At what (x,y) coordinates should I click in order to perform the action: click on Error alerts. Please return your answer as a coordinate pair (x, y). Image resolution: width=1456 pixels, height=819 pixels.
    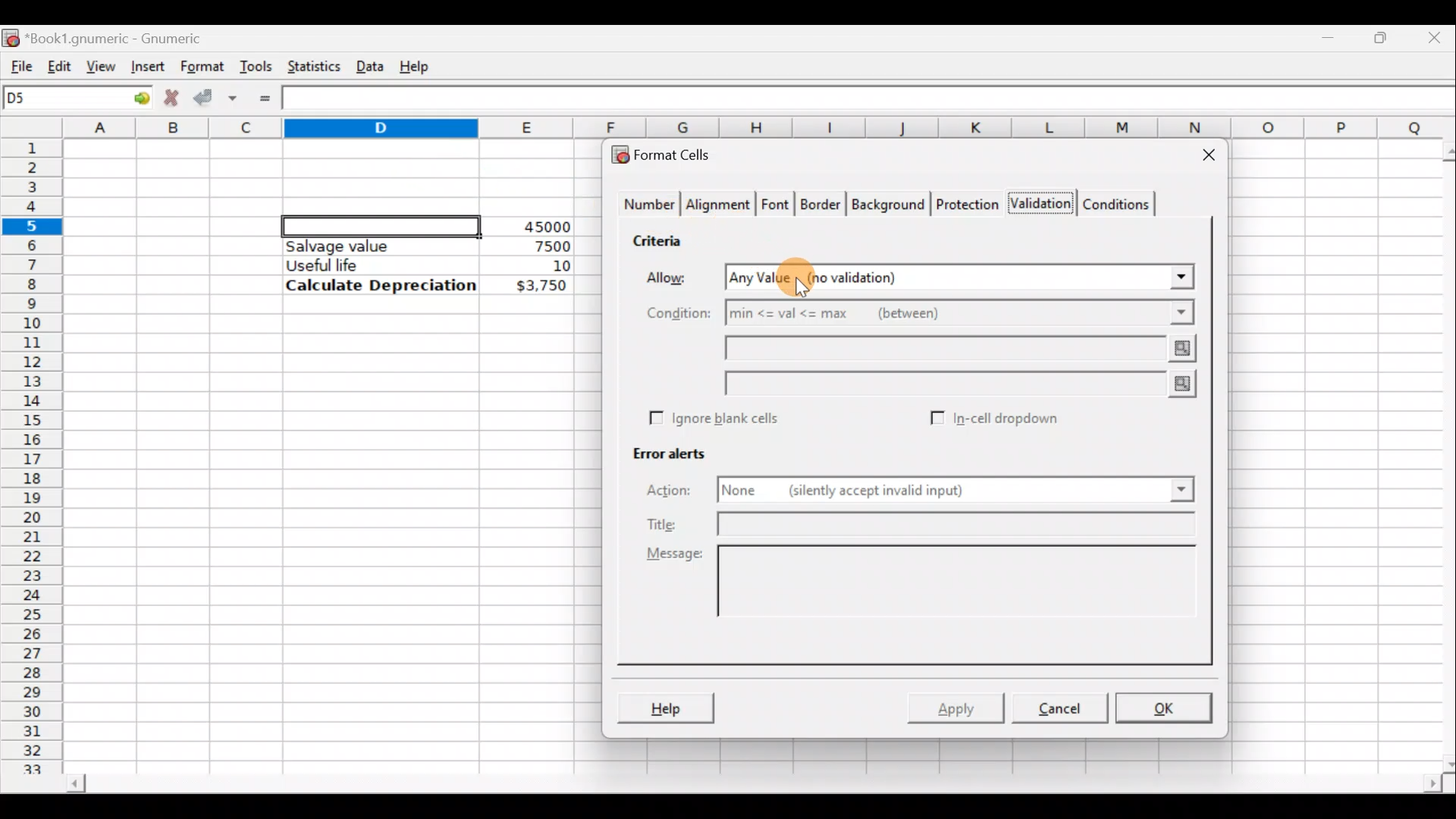
    Looking at the image, I should click on (661, 450).